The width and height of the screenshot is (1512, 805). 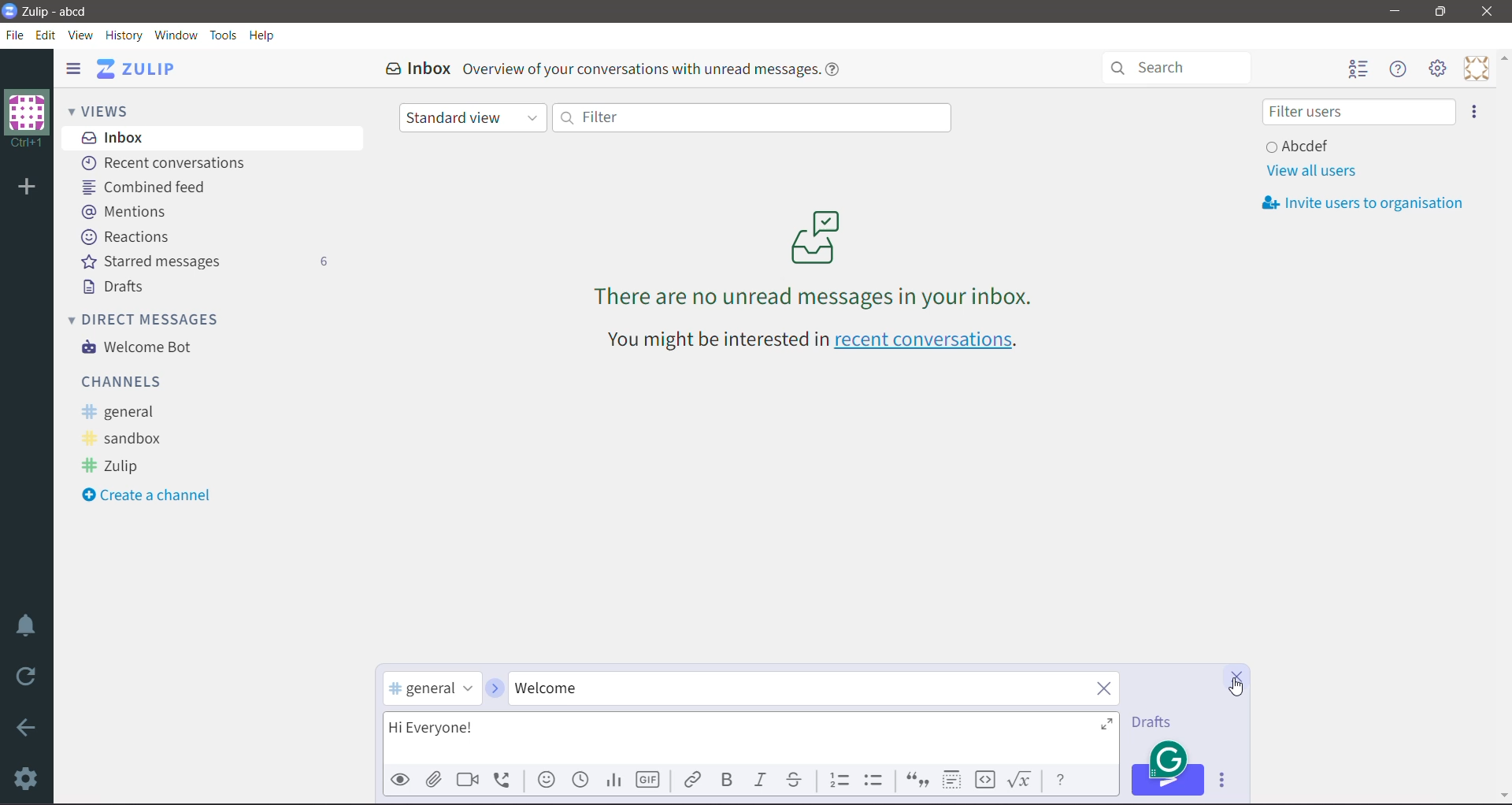 What do you see at coordinates (125, 380) in the screenshot?
I see `Channels` at bounding box center [125, 380].